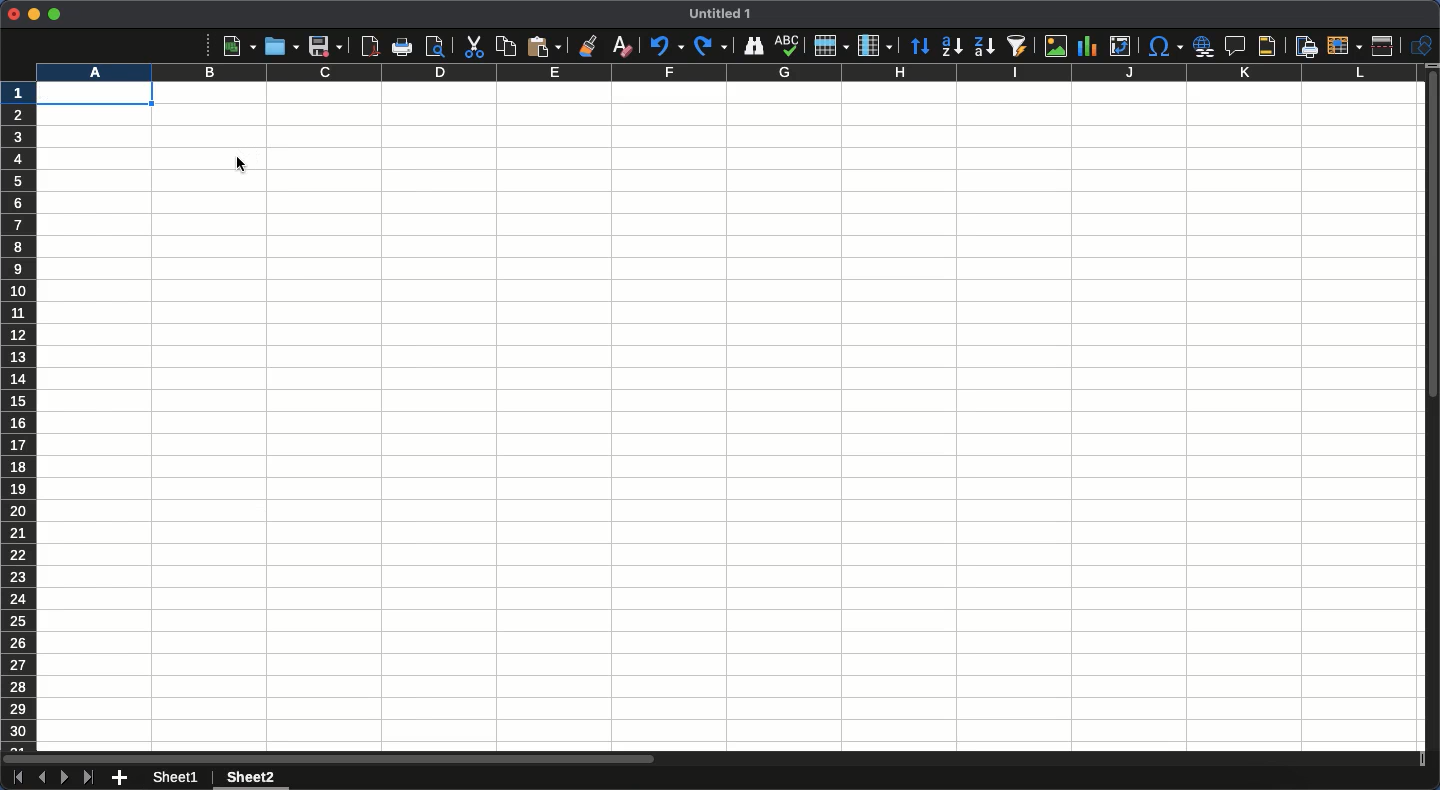 Image resolution: width=1440 pixels, height=790 pixels. Describe the element at coordinates (921, 48) in the screenshot. I see `Sort` at that location.